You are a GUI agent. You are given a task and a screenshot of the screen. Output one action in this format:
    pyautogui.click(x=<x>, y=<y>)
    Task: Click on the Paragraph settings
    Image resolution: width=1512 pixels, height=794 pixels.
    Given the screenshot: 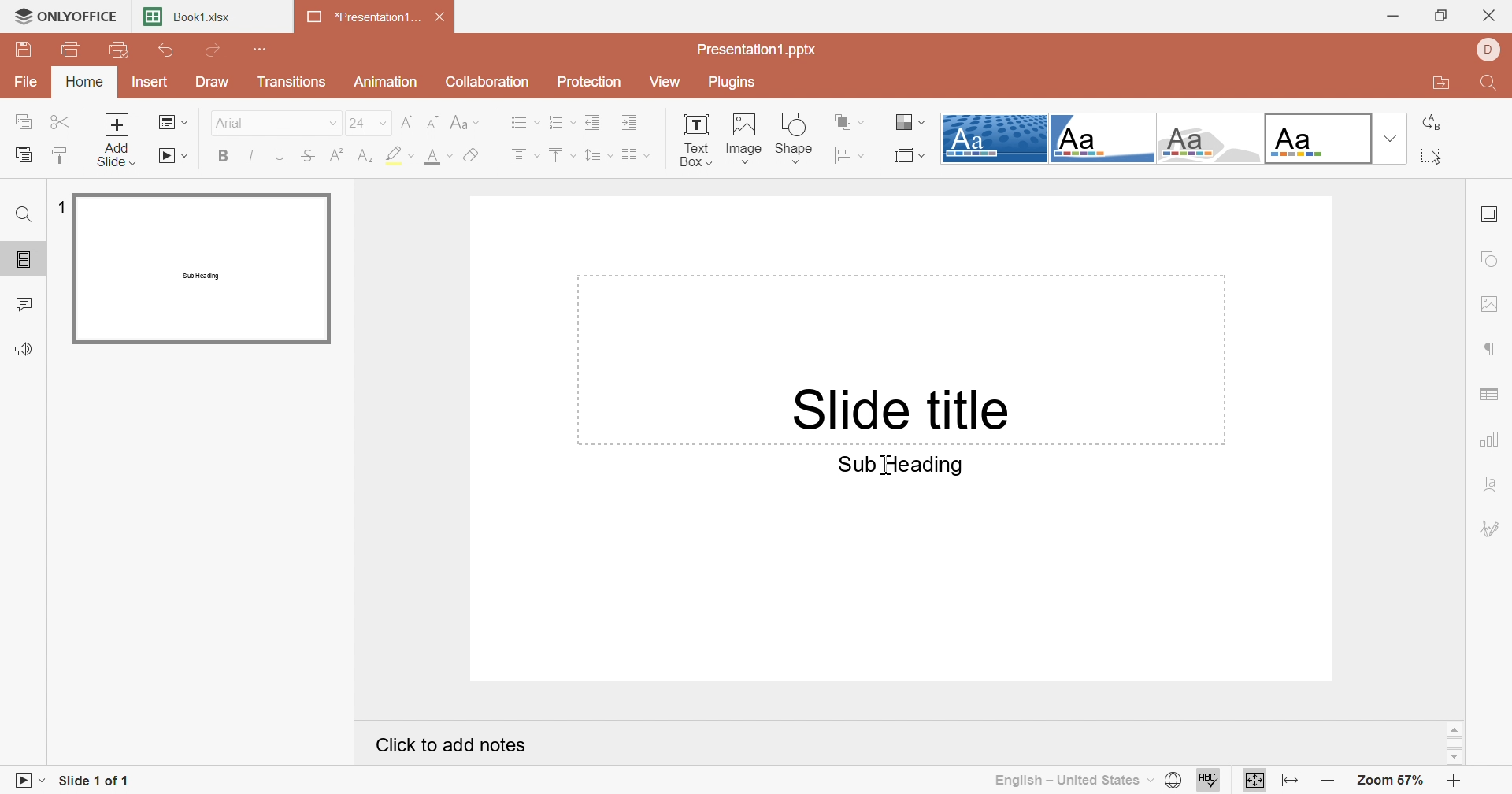 What is the action you would take?
    pyautogui.click(x=1495, y=350)
    